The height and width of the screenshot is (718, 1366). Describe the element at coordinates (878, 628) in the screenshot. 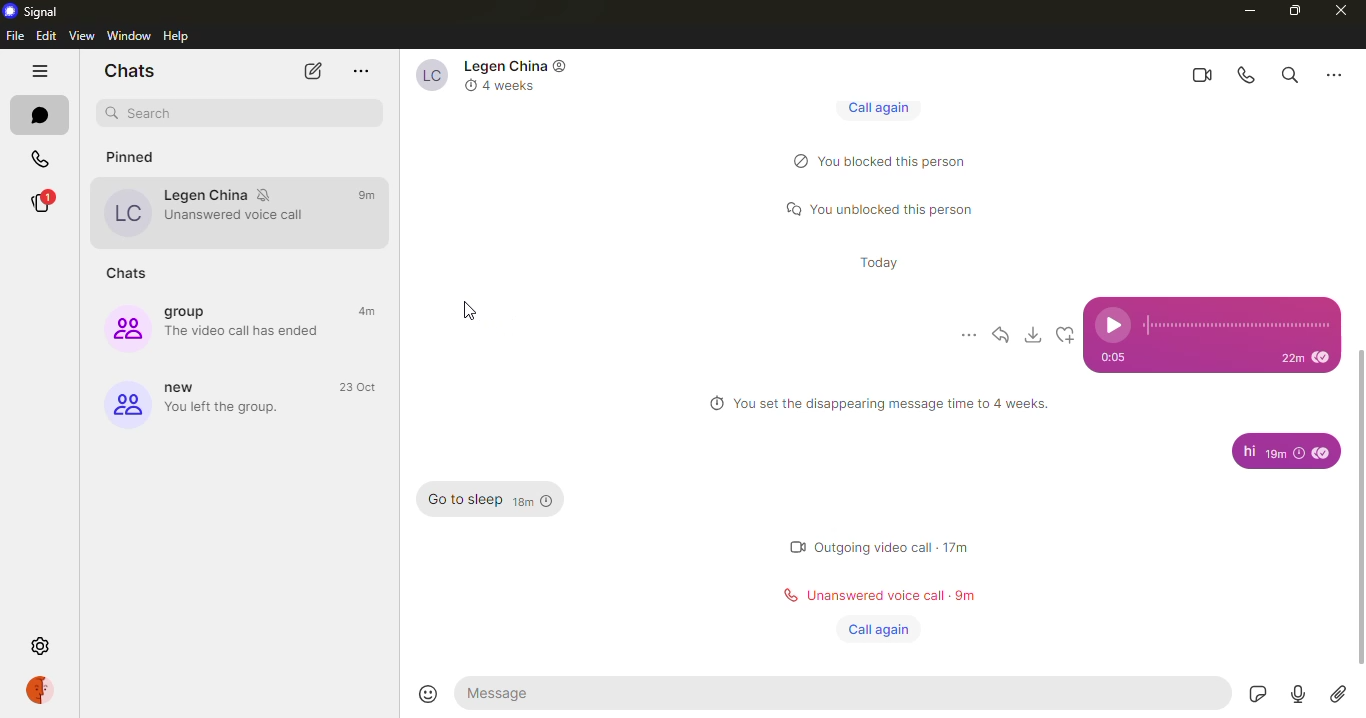

I see `call again` at that location.